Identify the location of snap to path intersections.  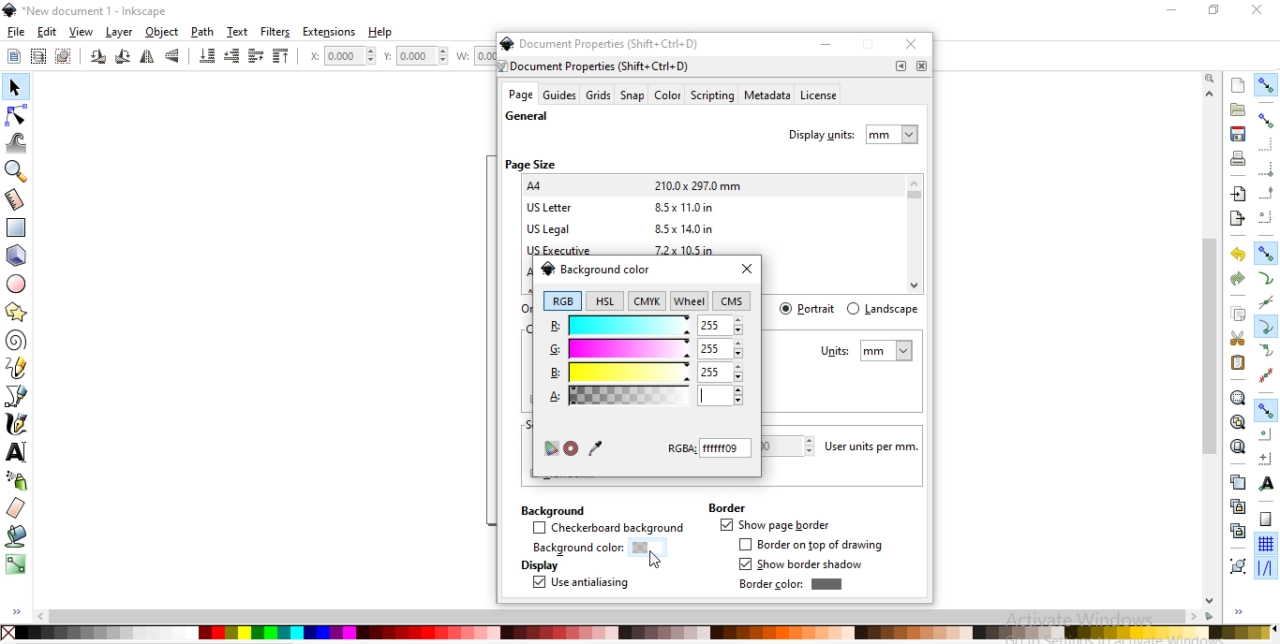
(1265, 303).